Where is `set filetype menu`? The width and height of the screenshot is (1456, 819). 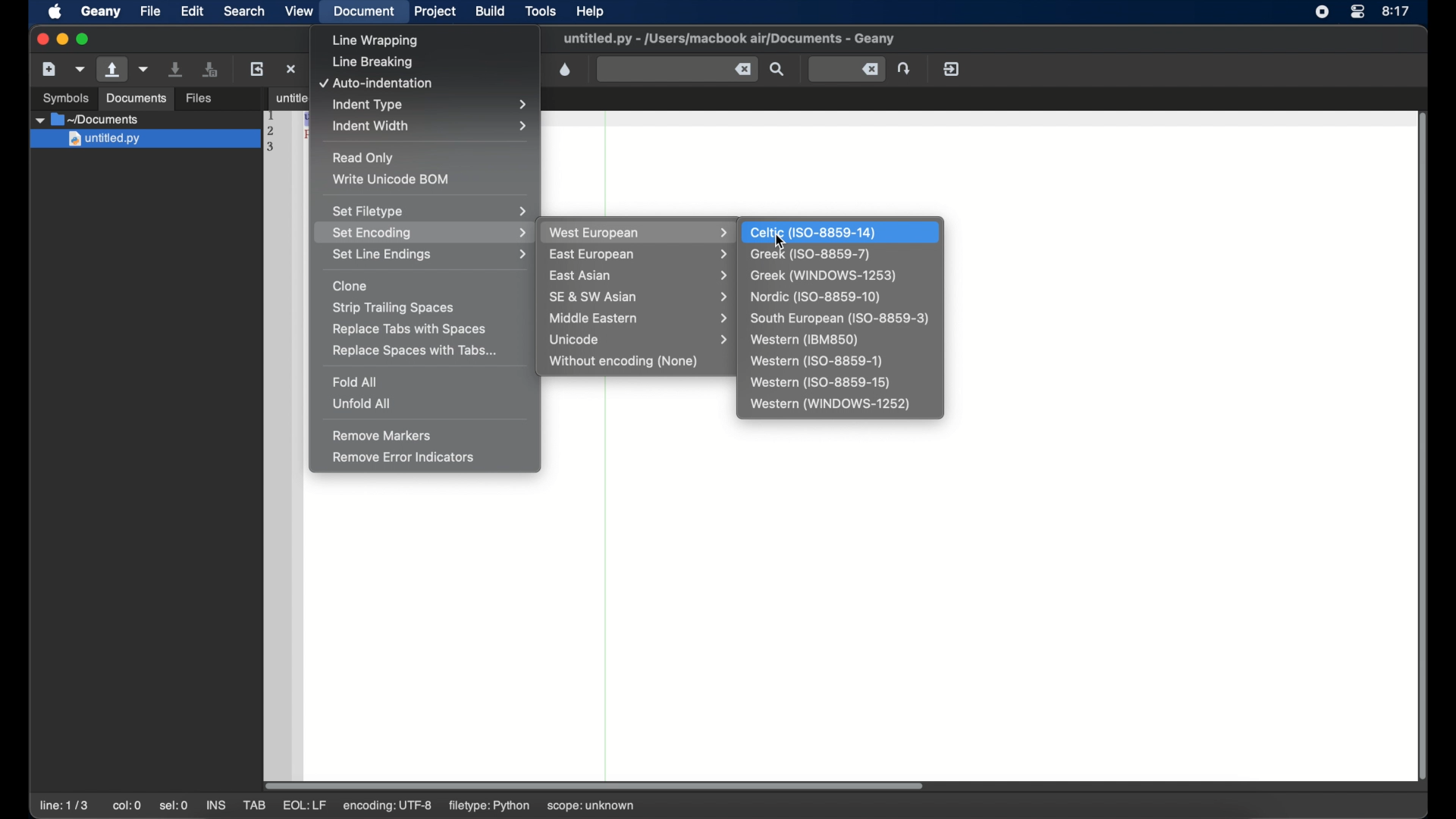
set filetype menu is located at coordinates (429, 211).